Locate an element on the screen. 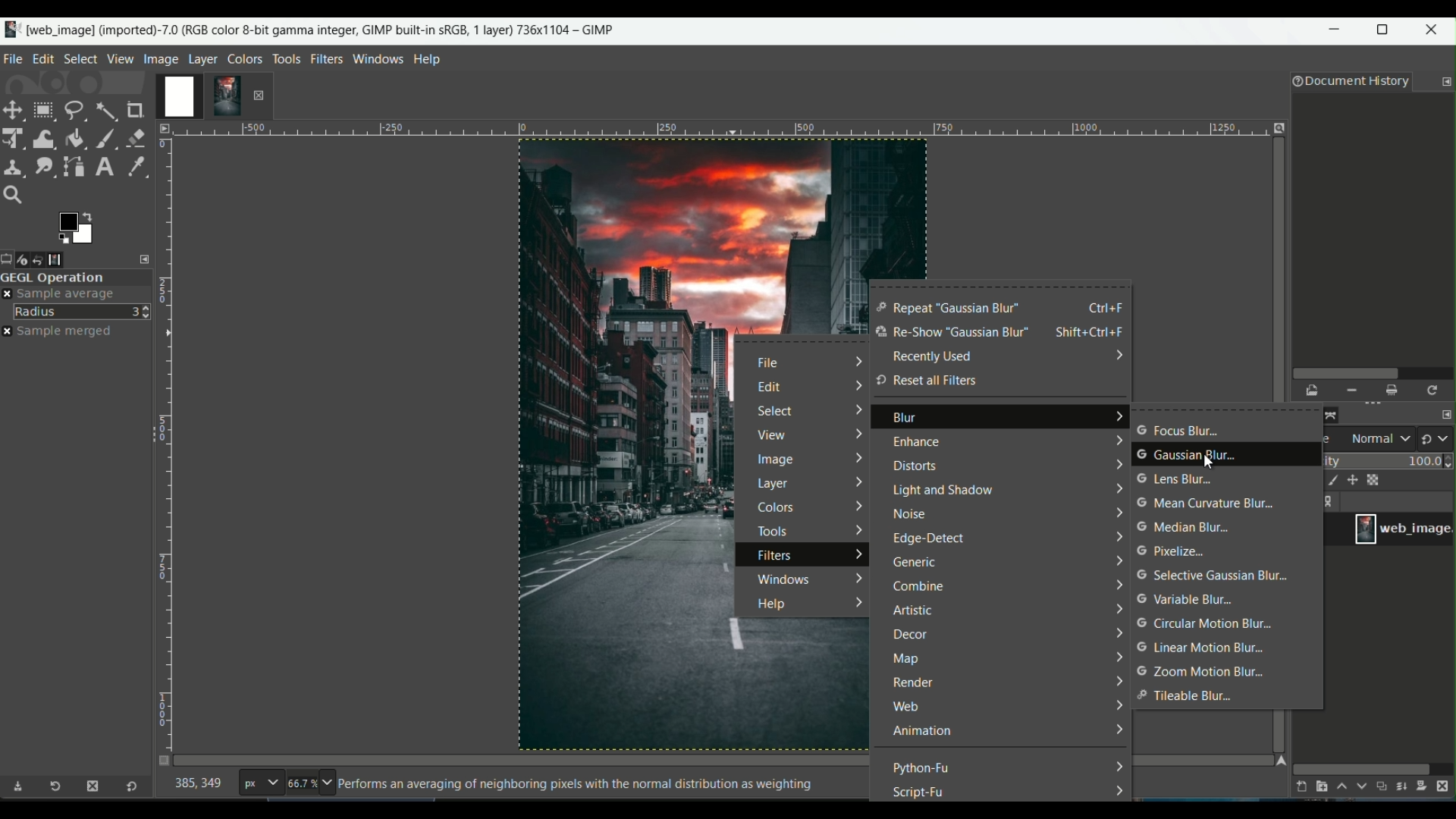  filter tab is located at coordinates (326, 58).